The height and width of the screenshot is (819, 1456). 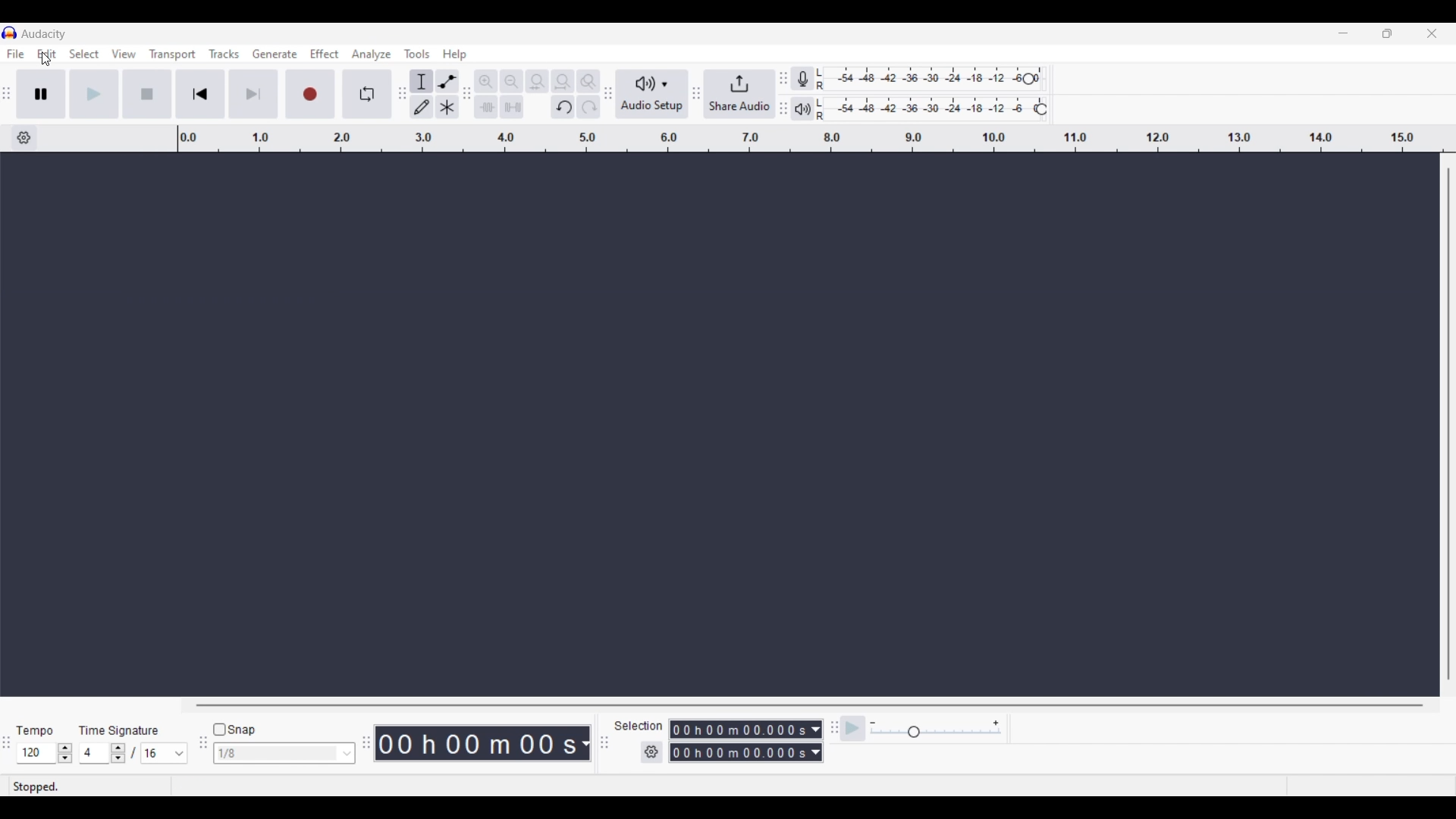 I want to click on Time signature options, so click(x=180, y=754).